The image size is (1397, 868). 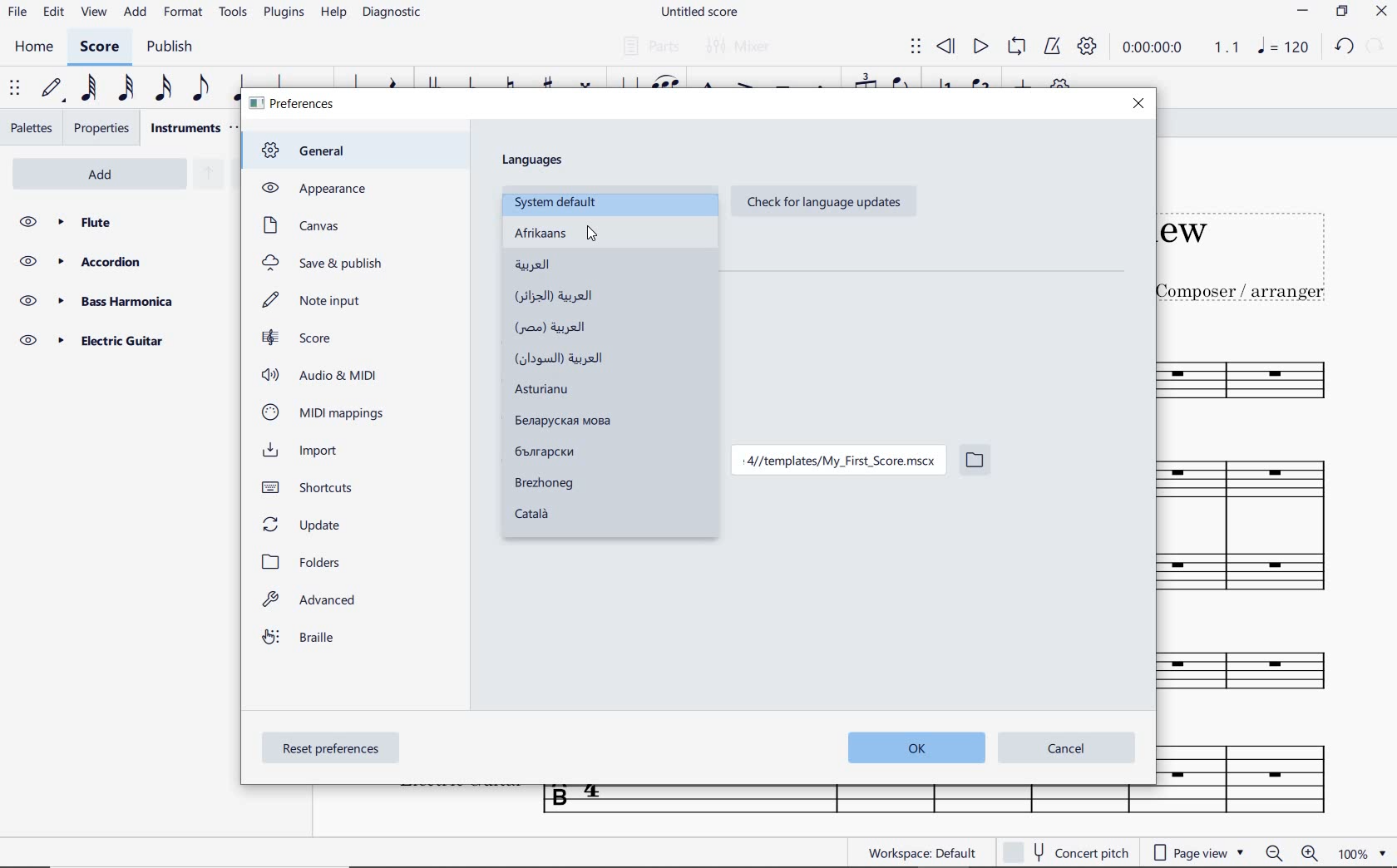 I want to click on UNDO, so click(x=1345, y=49).